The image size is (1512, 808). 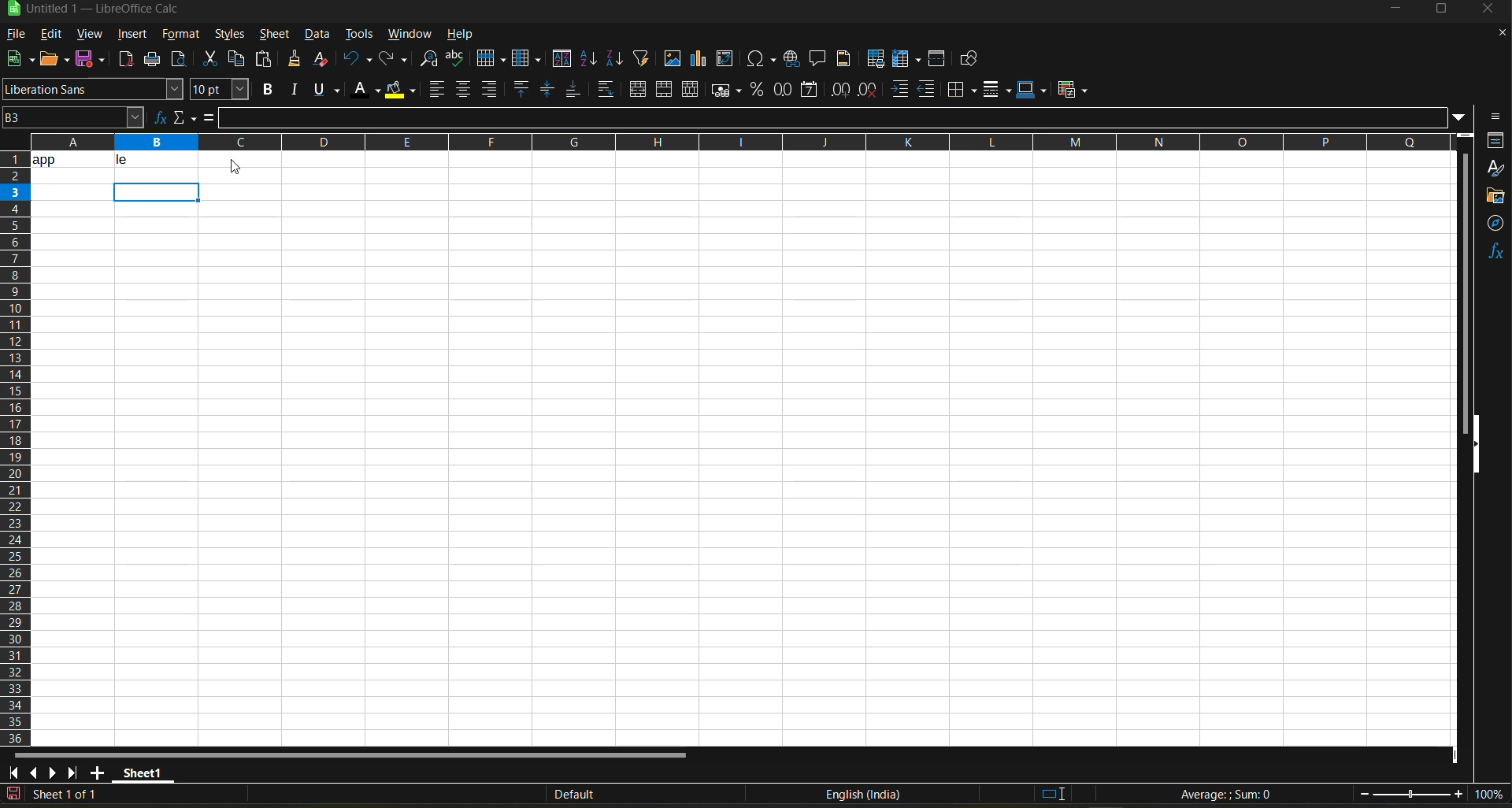 I want to click on click to save, so click(x=13, y=795).